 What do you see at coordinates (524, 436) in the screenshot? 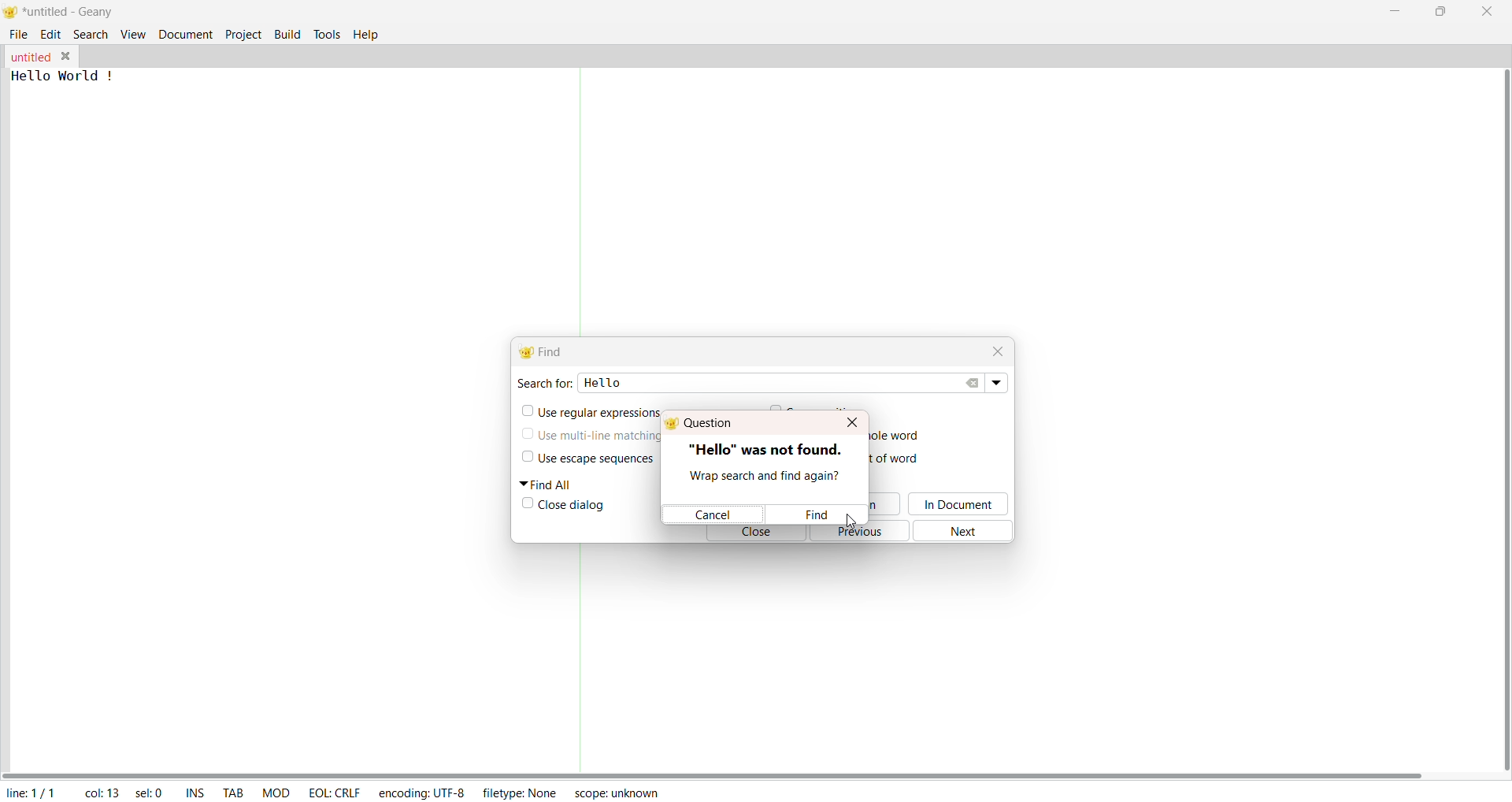
I see `Check Box` at bounding box center [524, 436].